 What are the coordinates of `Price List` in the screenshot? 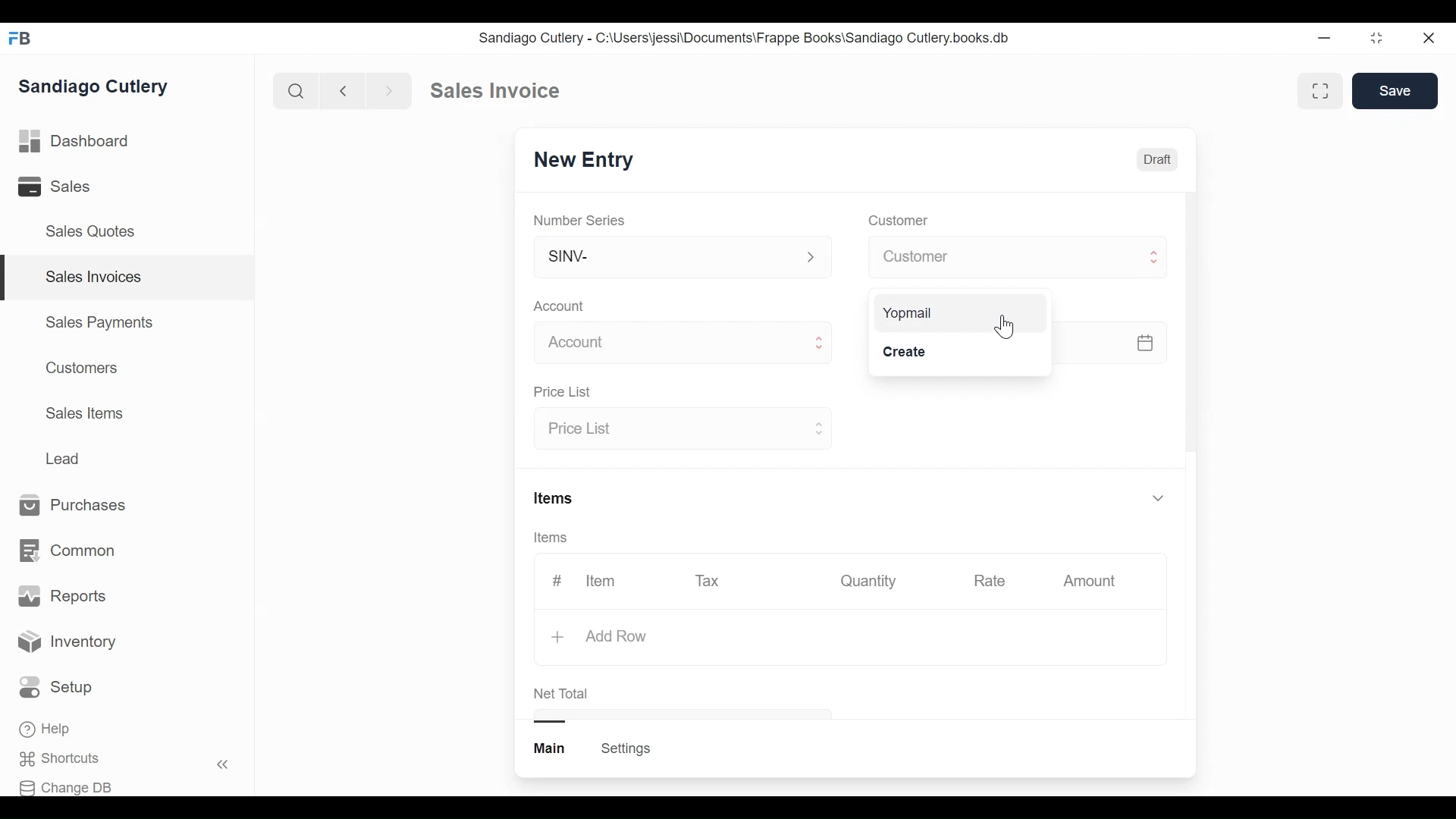 It's located at (680, 430).